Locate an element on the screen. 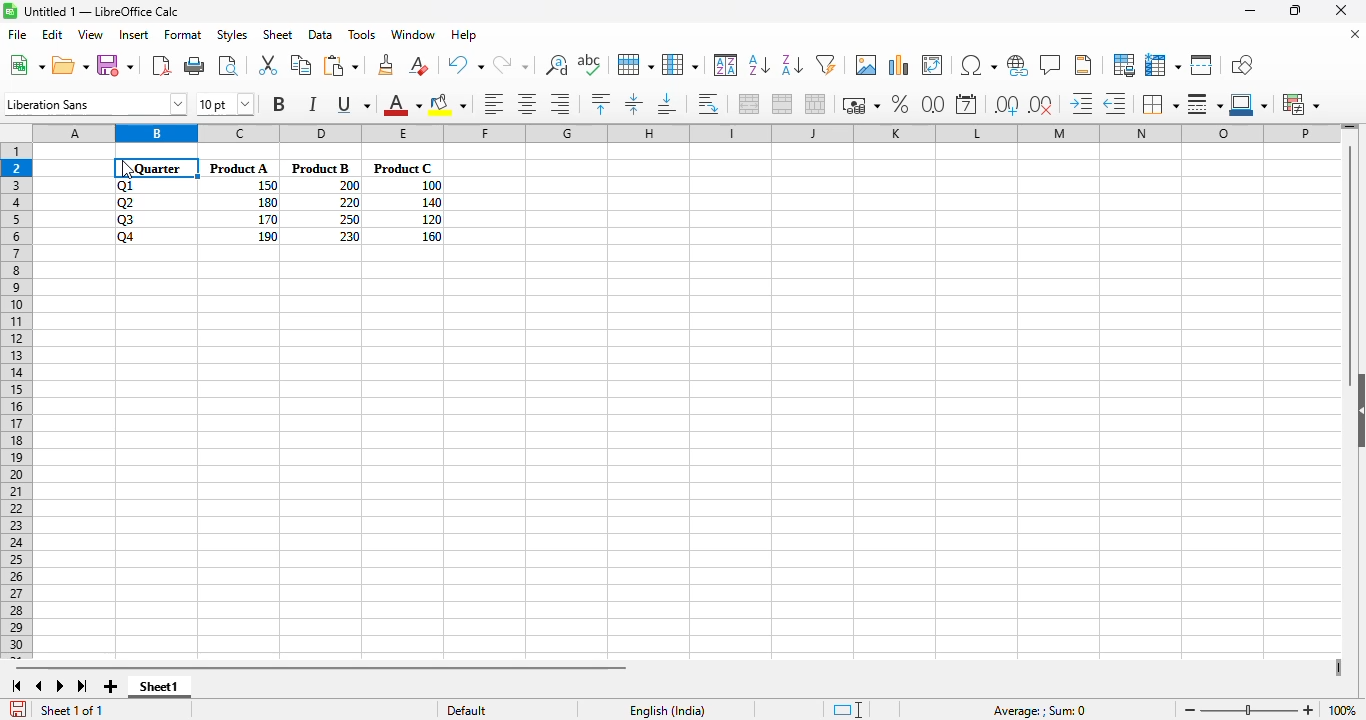 This screenshot has width=1366, height=720. column is located at coordinates (680, 64).